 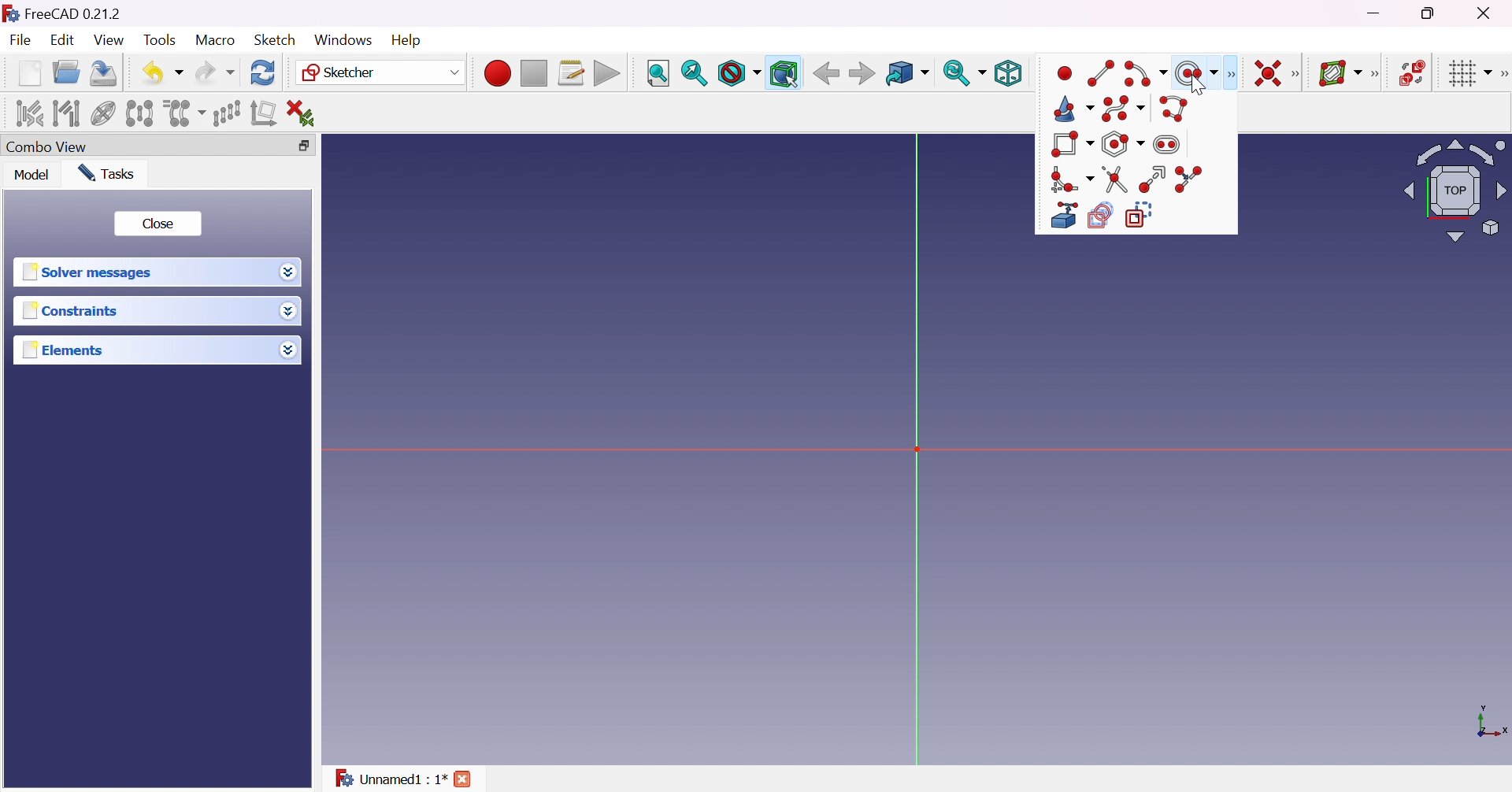 I want to click on Create slot, so click(x=1173, y=142).